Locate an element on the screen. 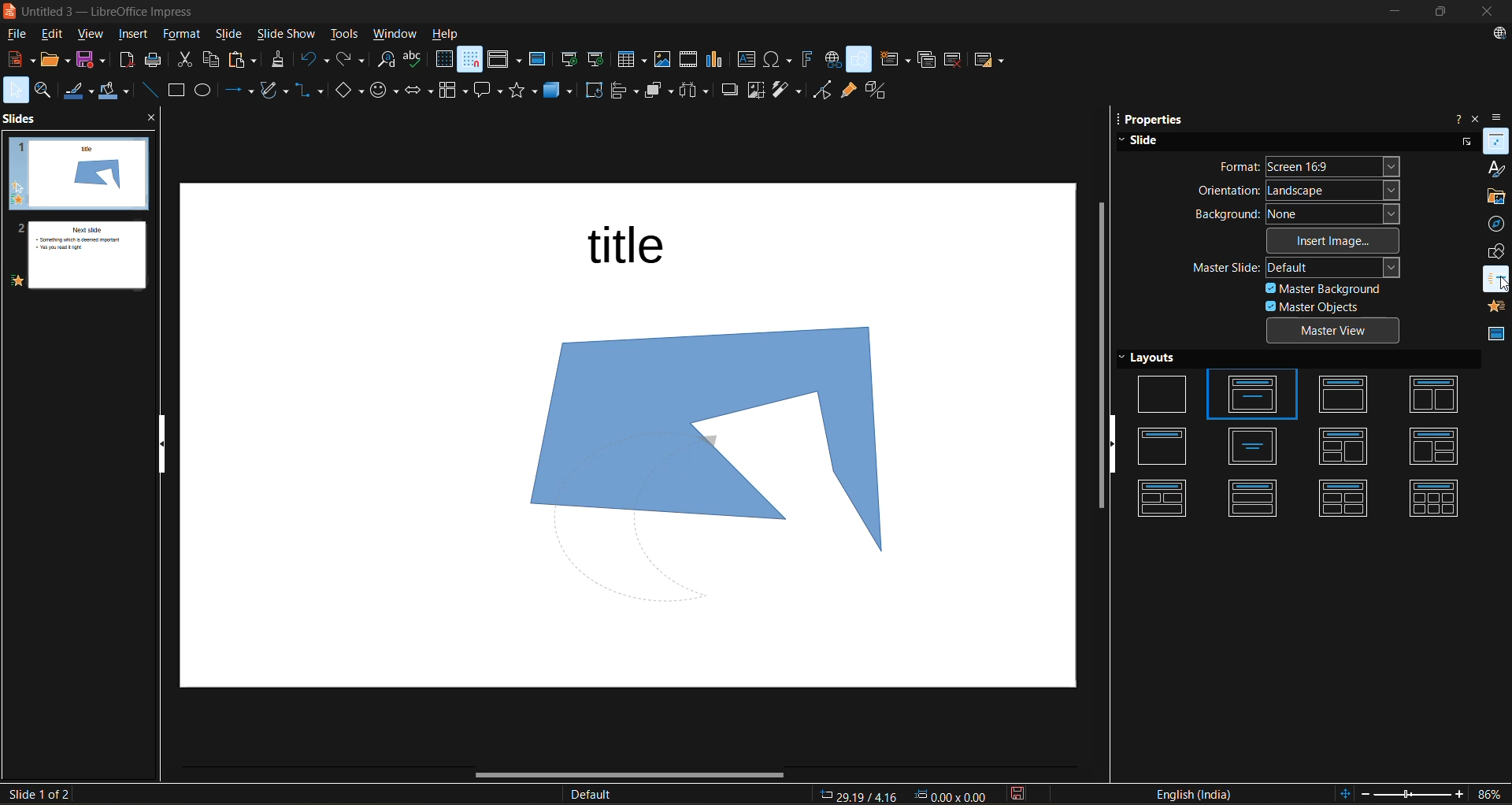 The image size is (1512, 805). file name and app name is located at coordinates (113, 12).